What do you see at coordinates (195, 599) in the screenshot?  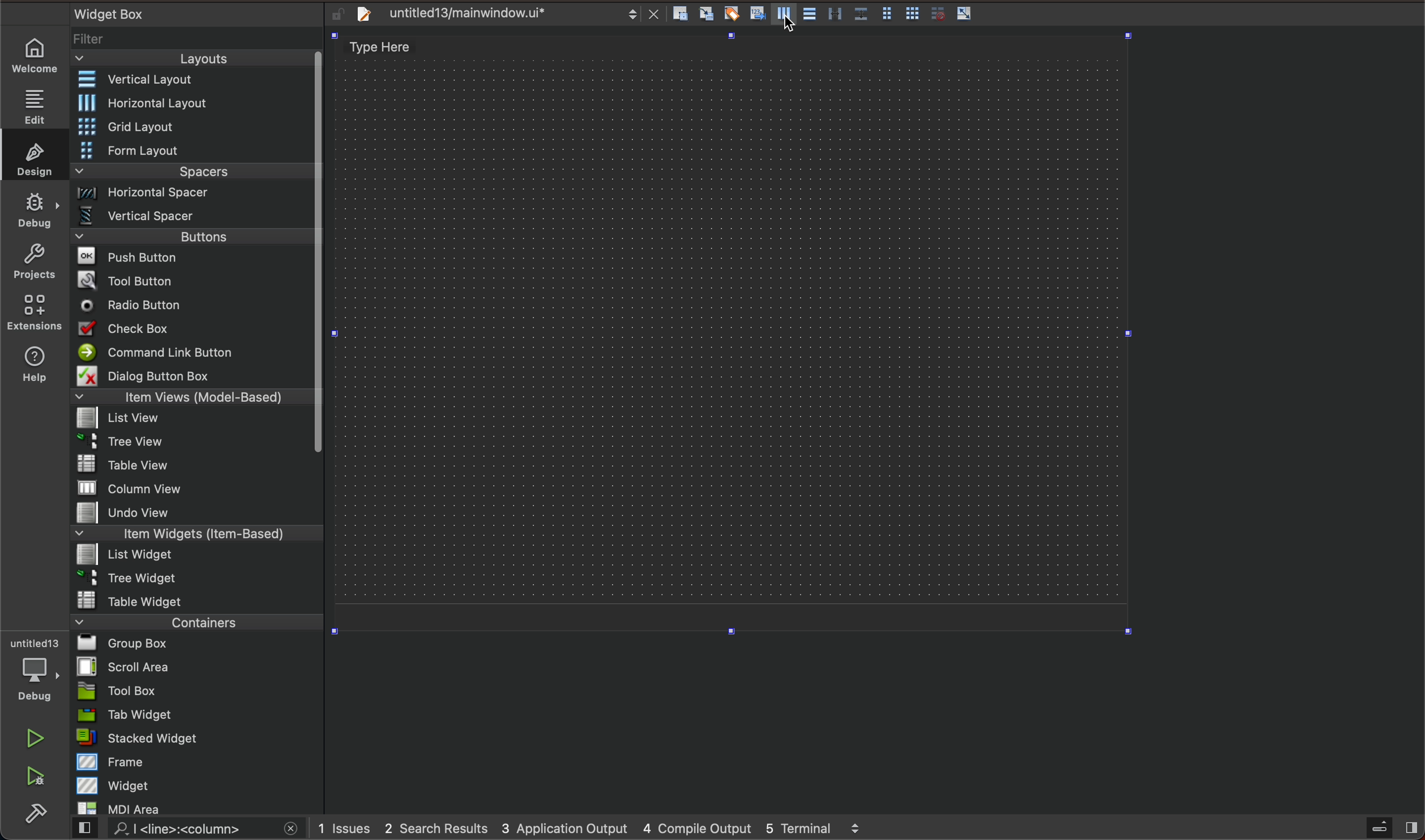 I see `table widget` at bounding box center [195, 599].